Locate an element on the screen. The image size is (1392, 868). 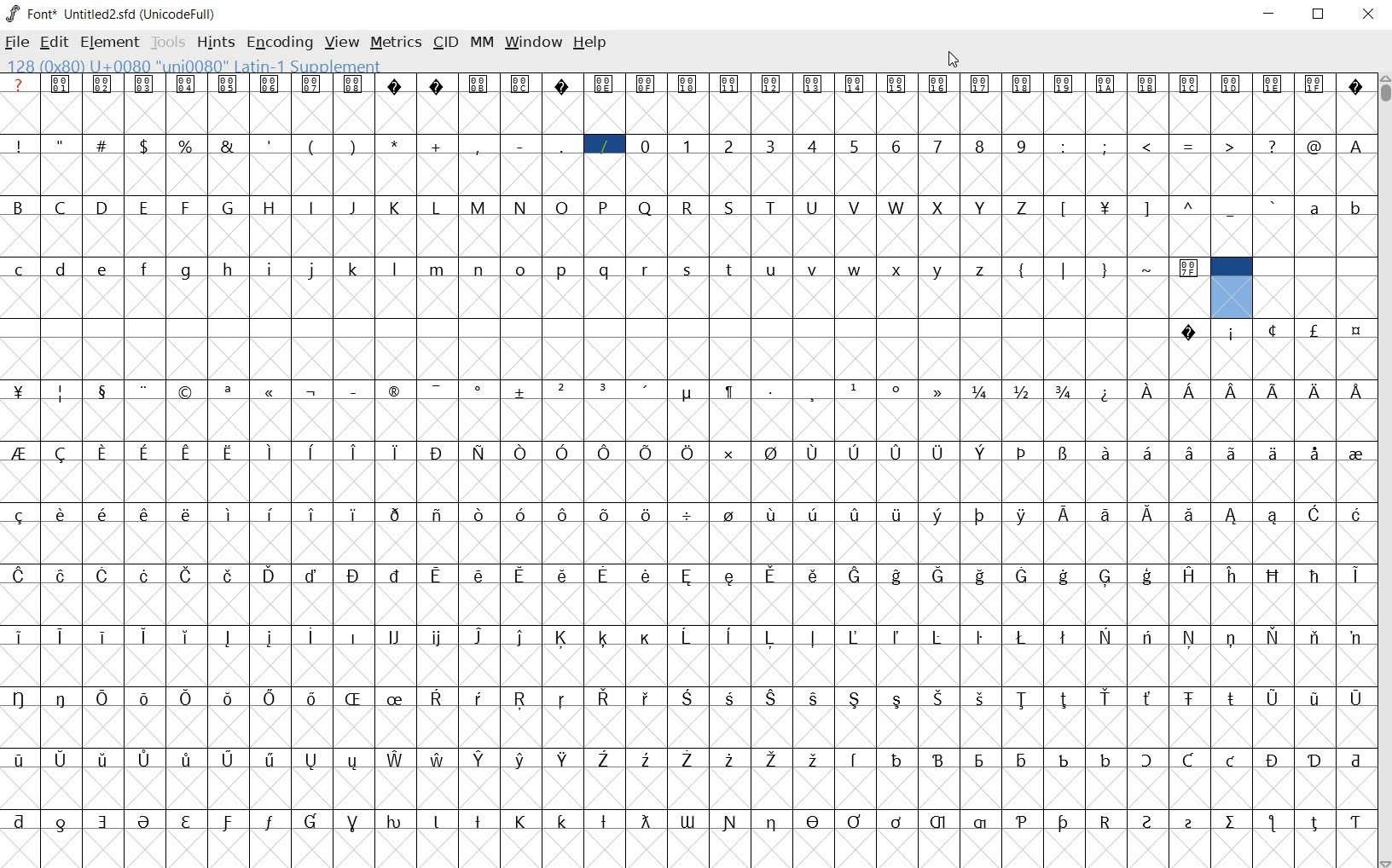
Symbol is located at coordinates (1191, 85).